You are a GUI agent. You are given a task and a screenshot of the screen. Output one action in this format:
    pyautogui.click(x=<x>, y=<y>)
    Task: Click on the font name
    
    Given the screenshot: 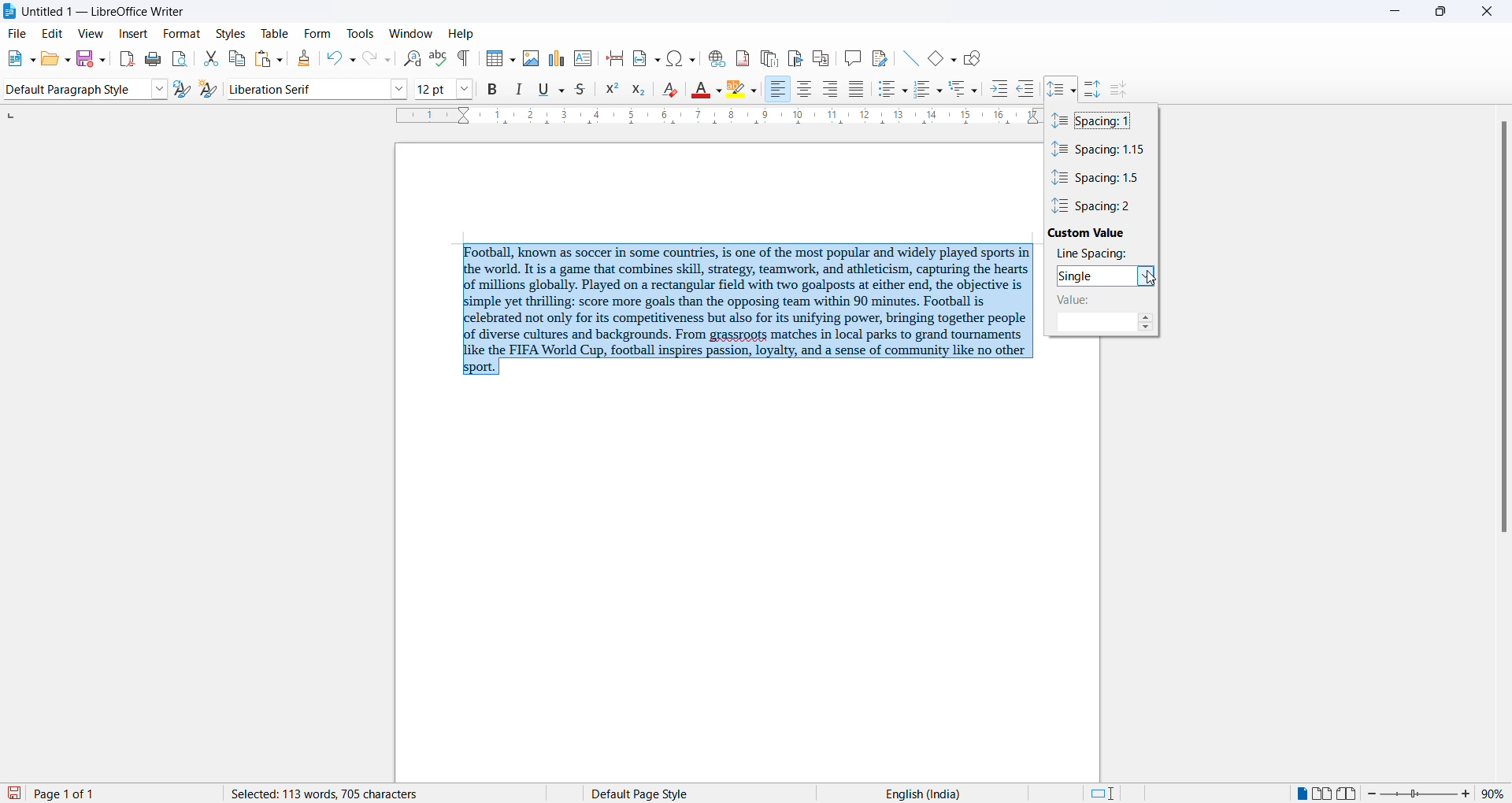 What is the action you would take?
    pyautogui.click(x=306, y=88)
    